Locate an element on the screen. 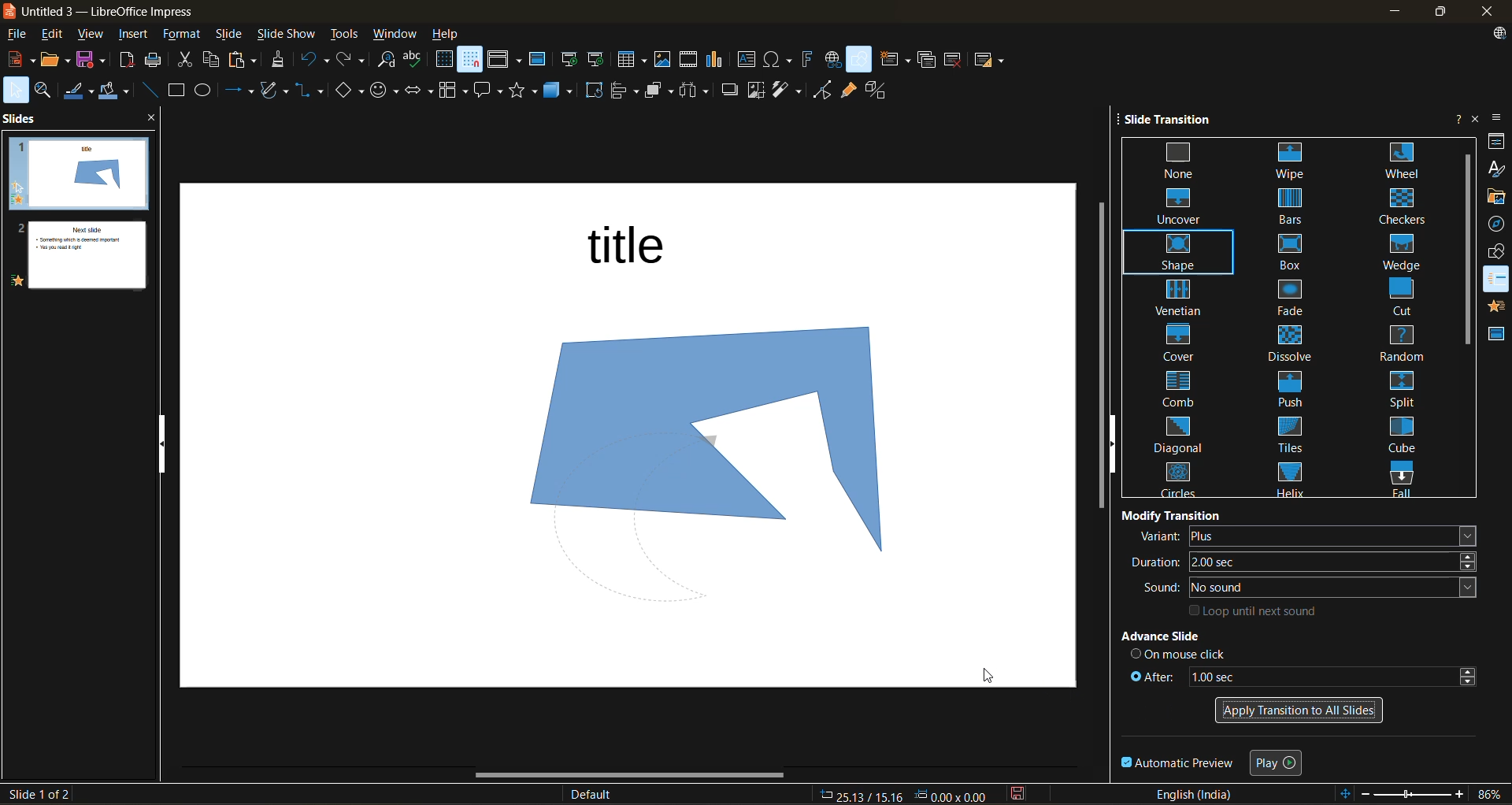  distribute is located at coordinates (697, 91).